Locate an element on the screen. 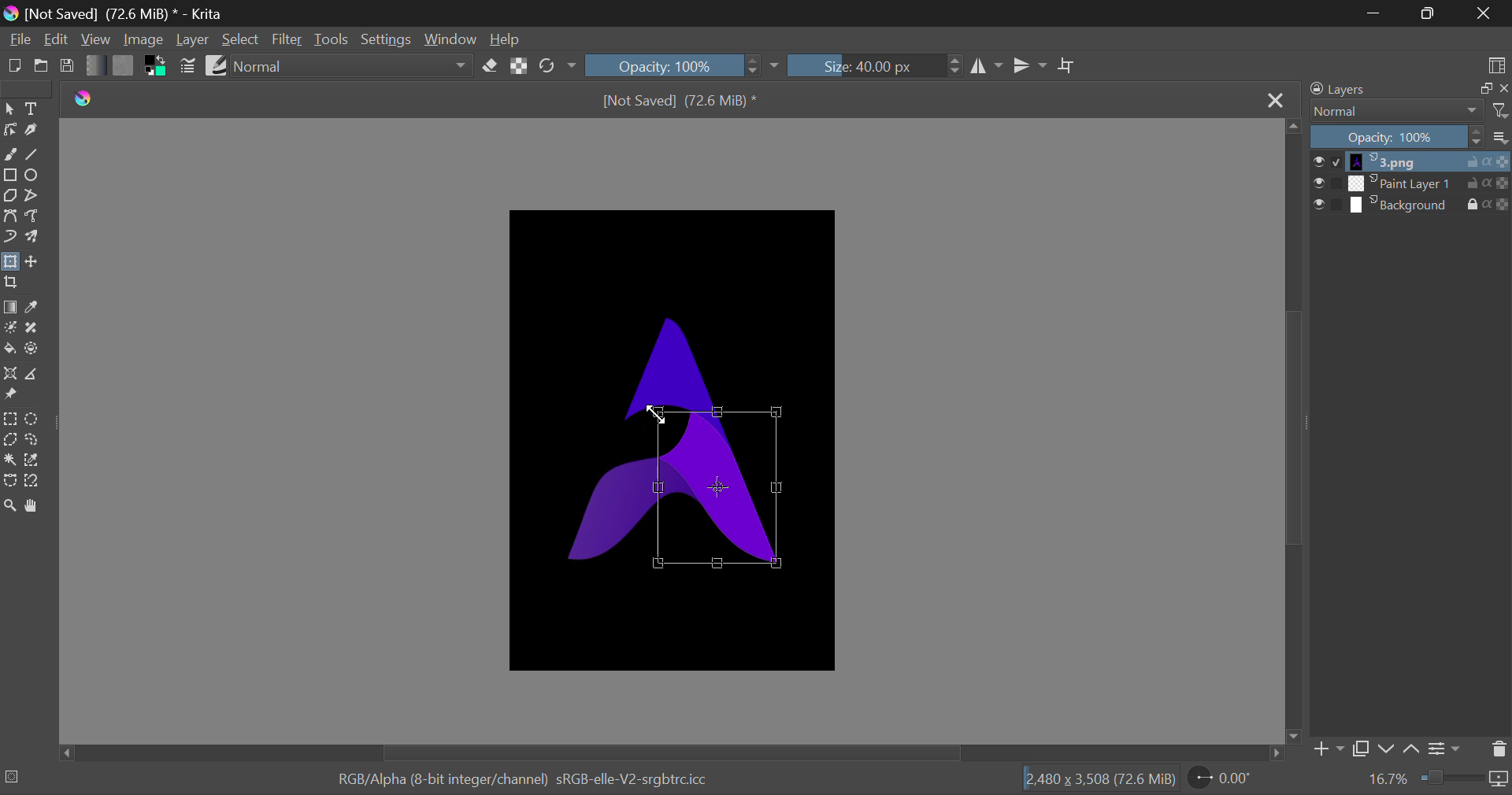 The width and height of the screenshot is (1512, 795). Similar Color Selection is located at coordinates (32, 460).